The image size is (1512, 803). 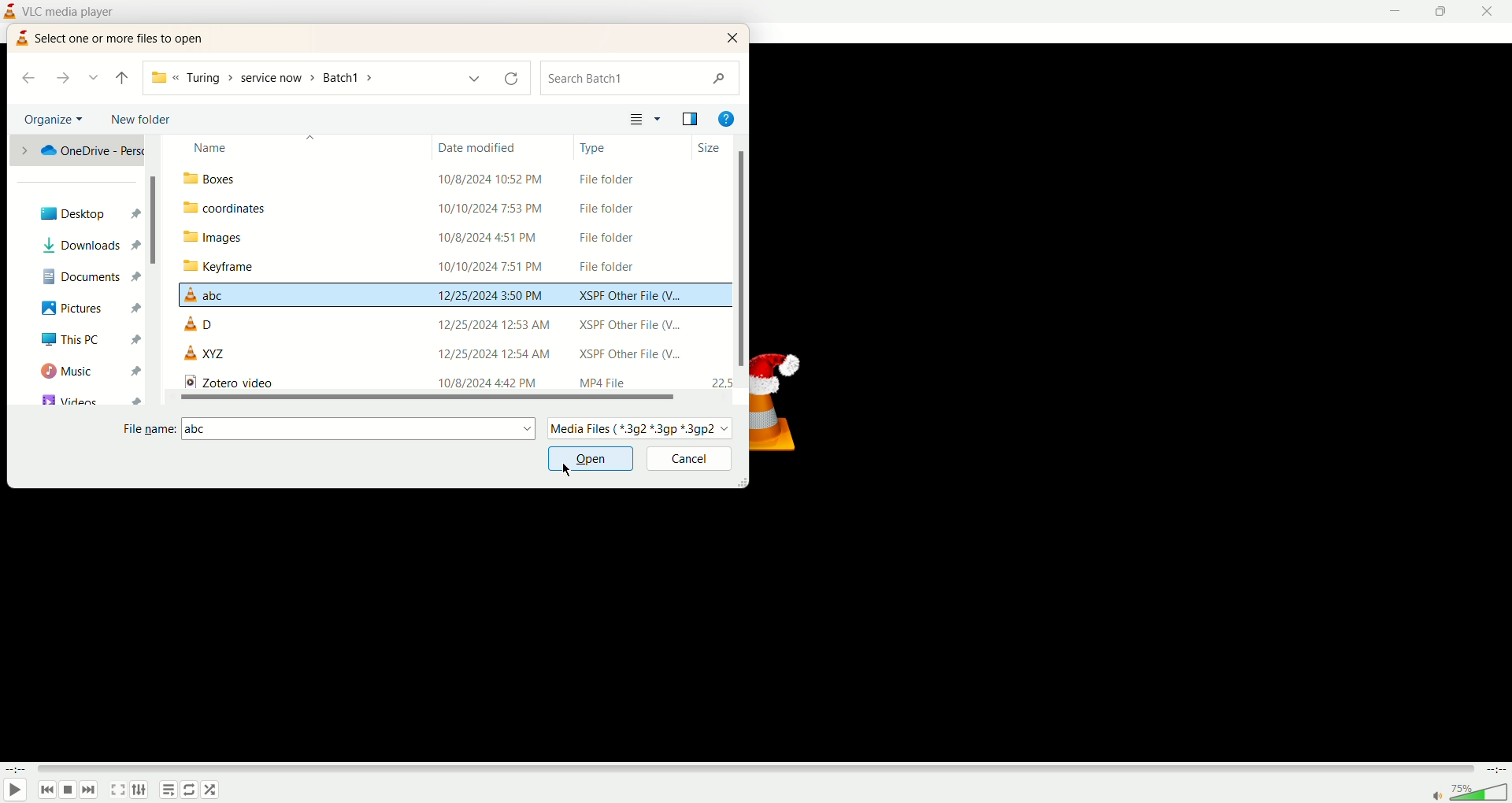 I want to click on file, so click(x=453, y=295).